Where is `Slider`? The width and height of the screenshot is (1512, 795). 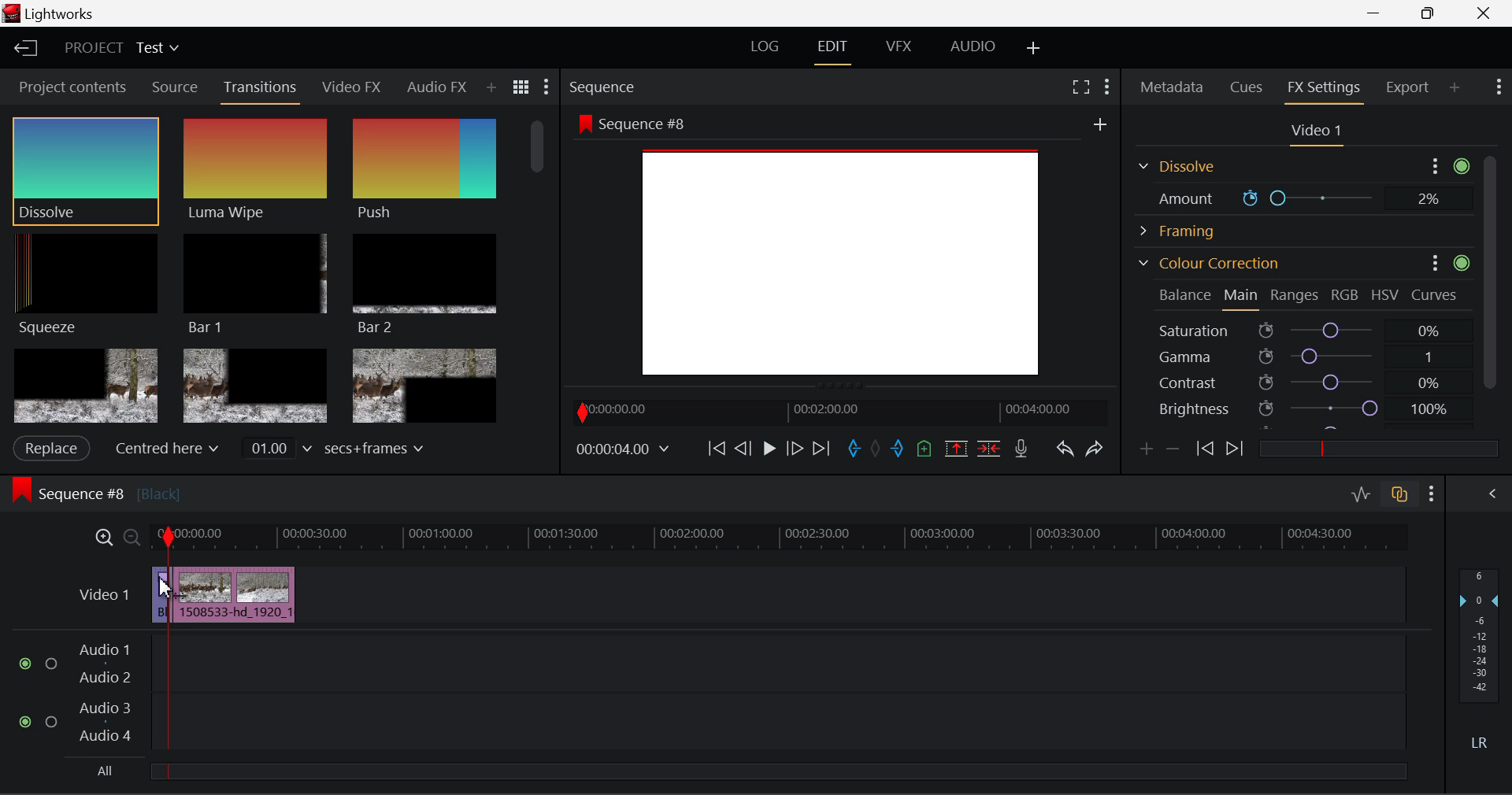 Slider is located at coordinates (1312, 198).